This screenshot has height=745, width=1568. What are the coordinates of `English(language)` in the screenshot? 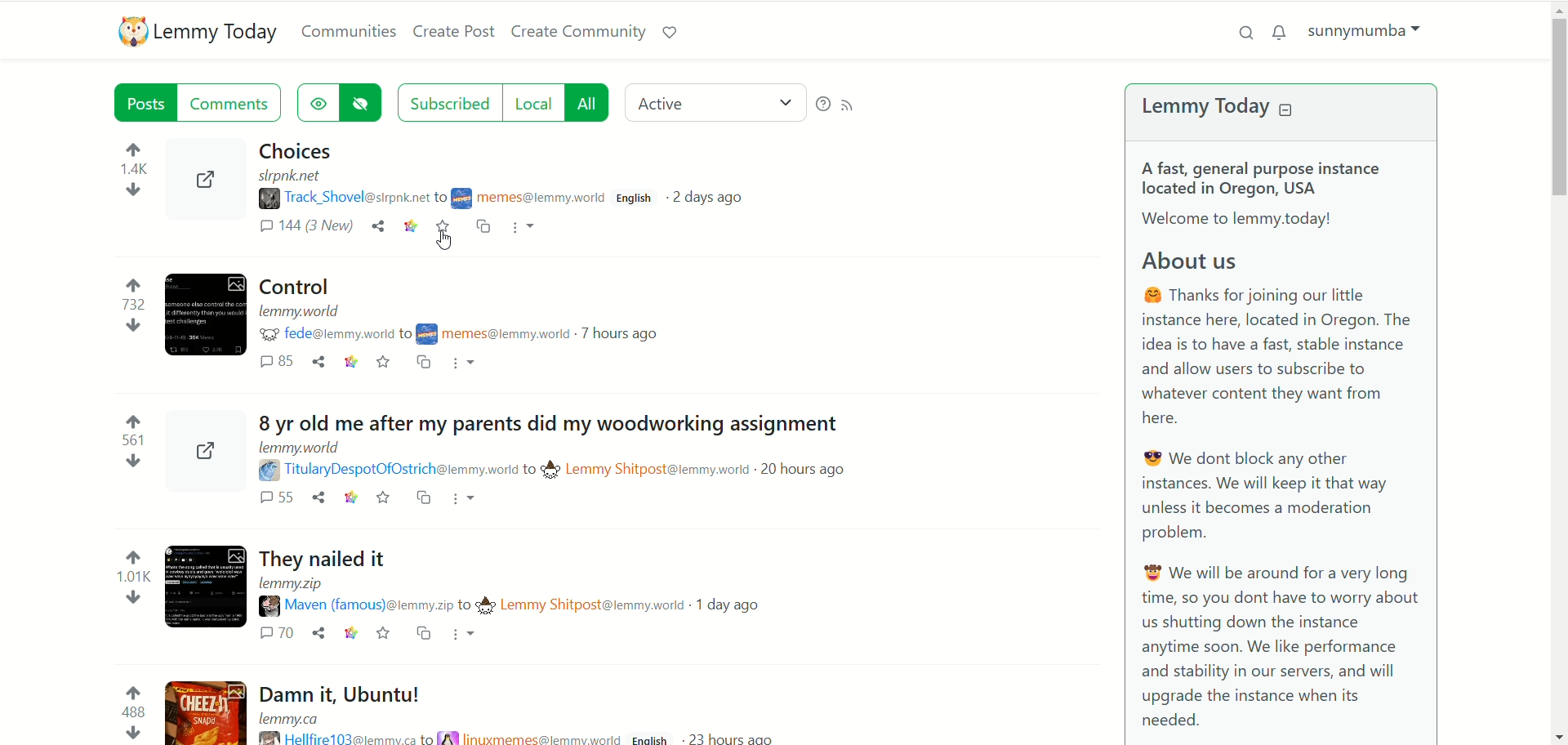 It's located at (636, 196).